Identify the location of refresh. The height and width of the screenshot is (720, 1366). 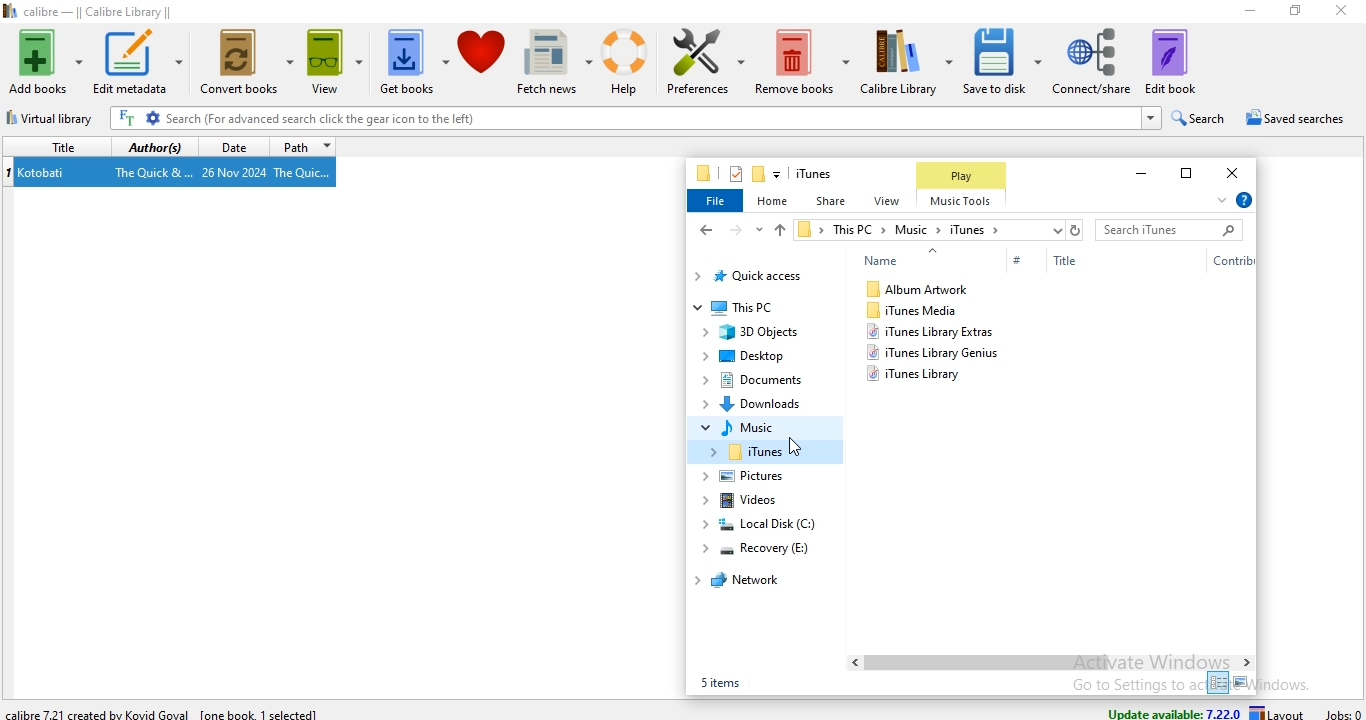
(1075, 229).